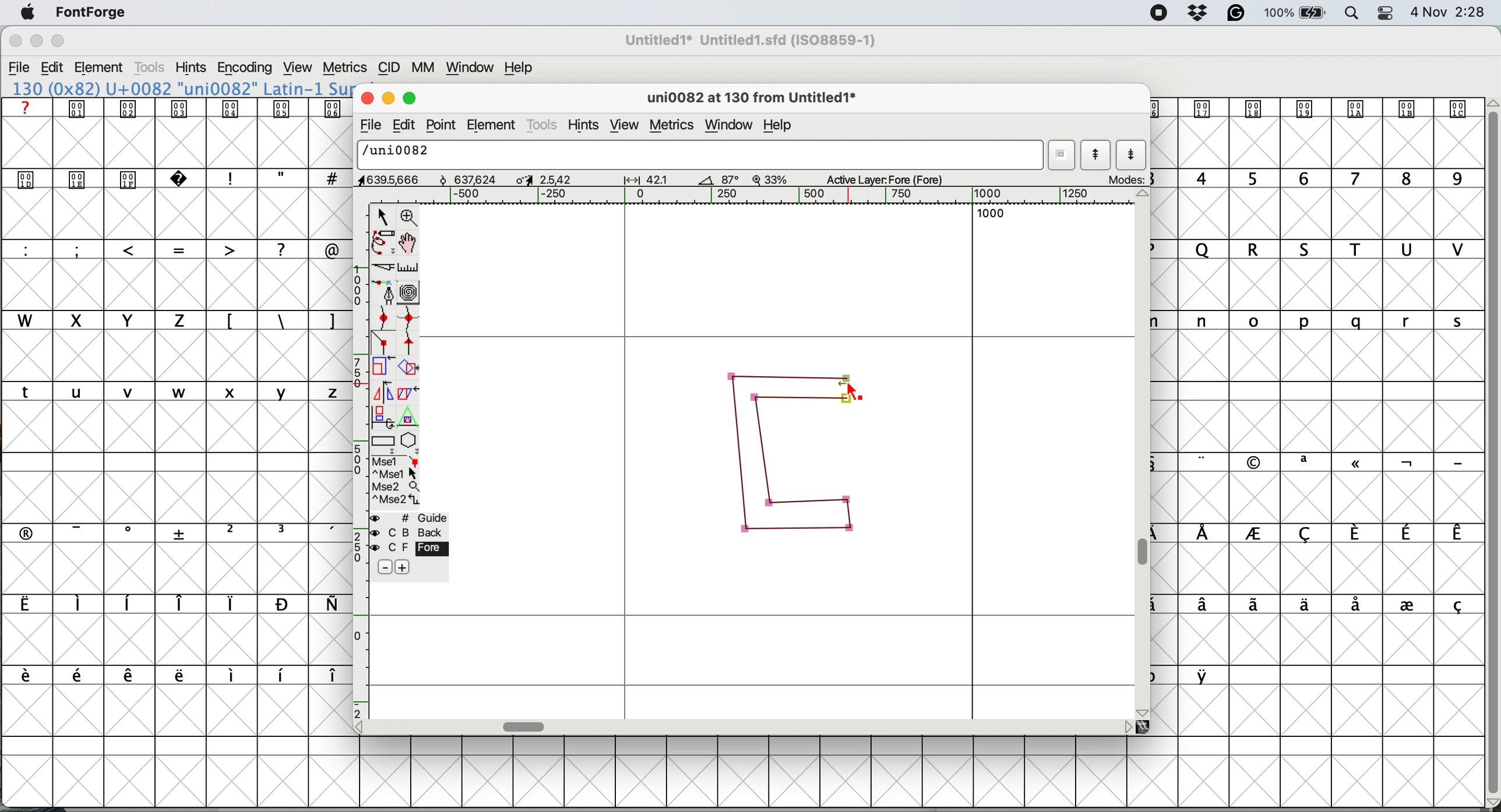 The height and width of the screenshot is (812, 1501). I want to click on glyph name, so click(749, 99).